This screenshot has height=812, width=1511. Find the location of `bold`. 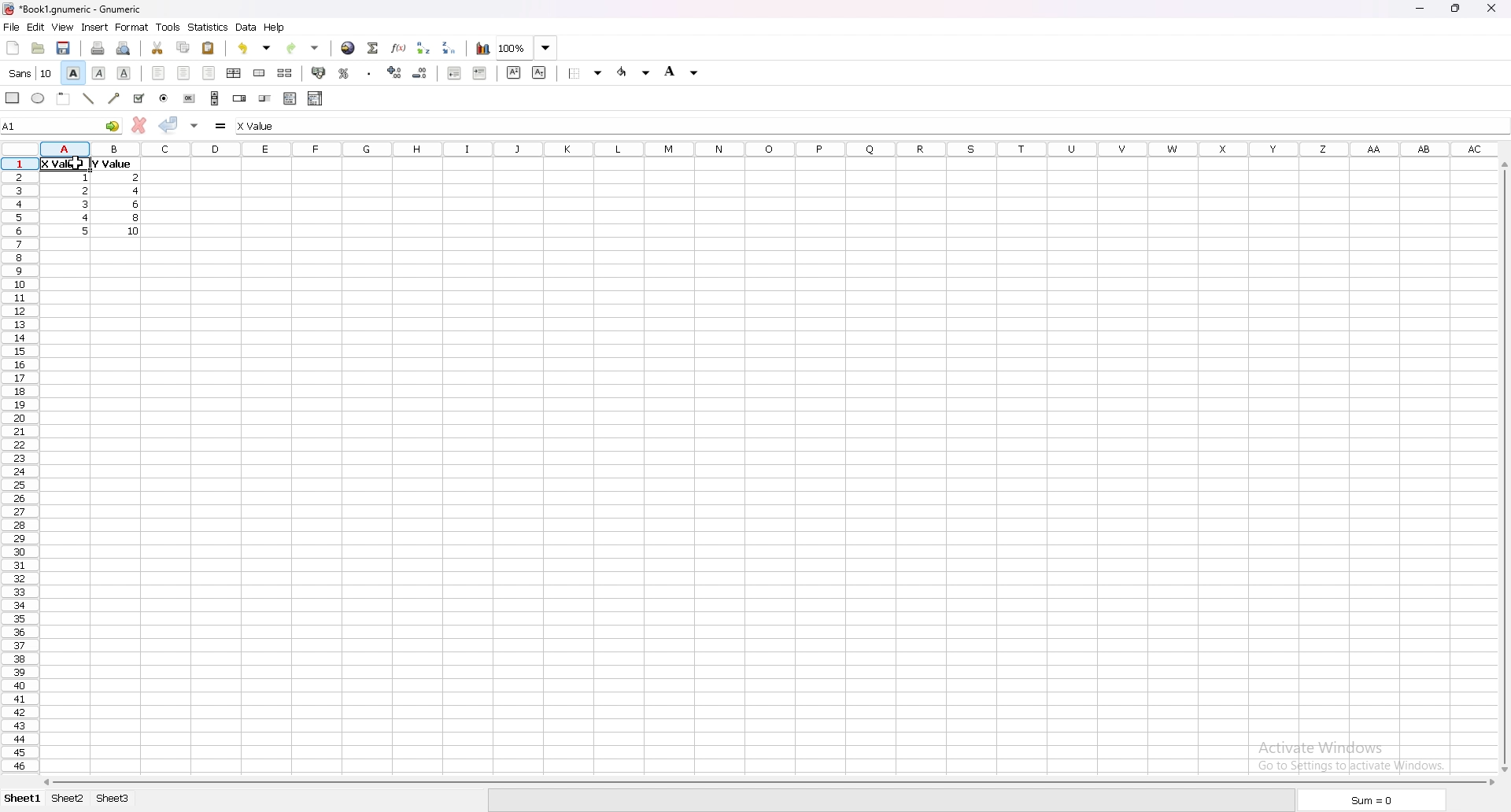

bold is located at coordinates (72, 73).